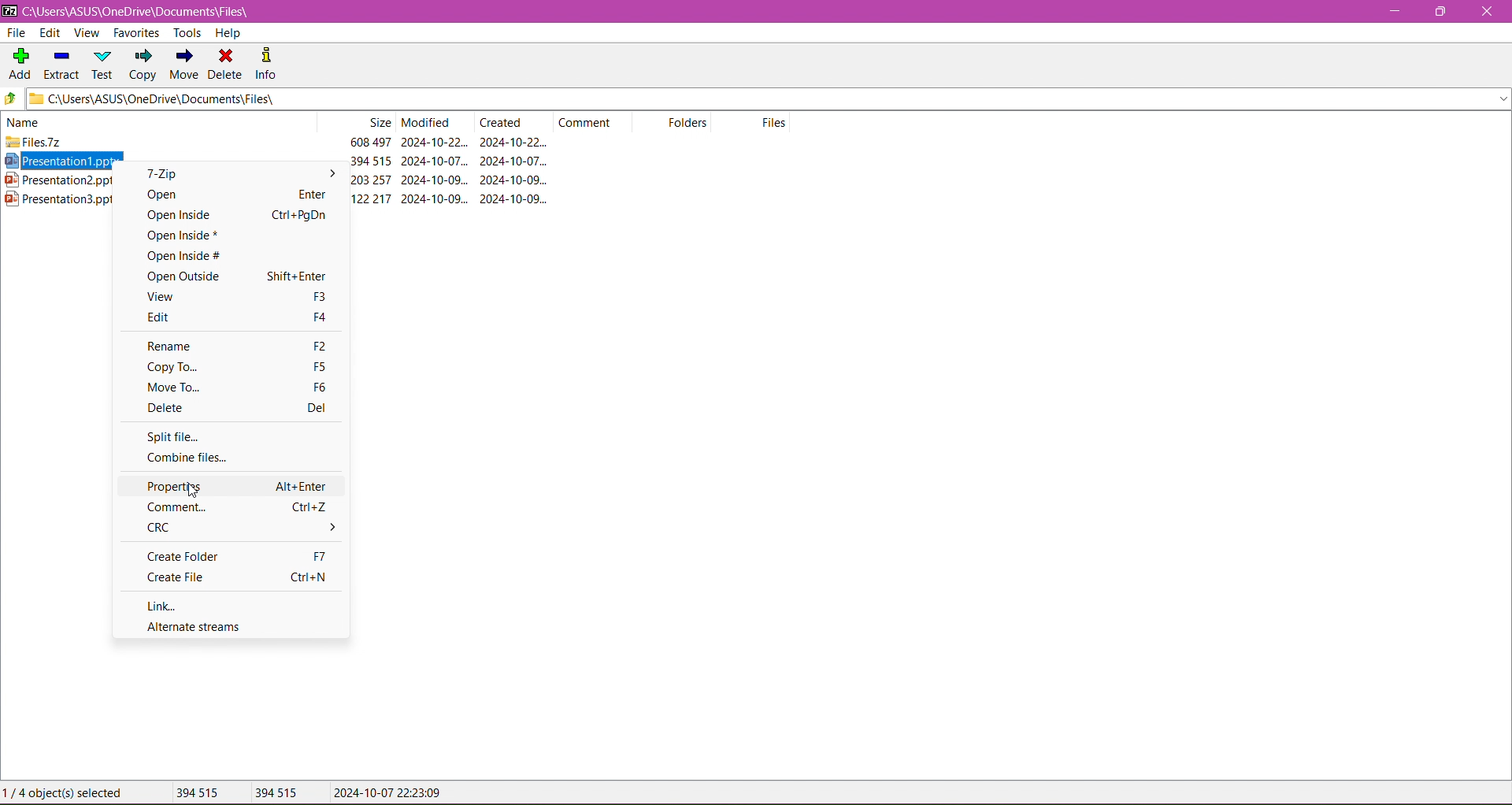  What do you see at coordinates (237, 297) in the screenshot?
I see `View` at bounding box center [237, 297].